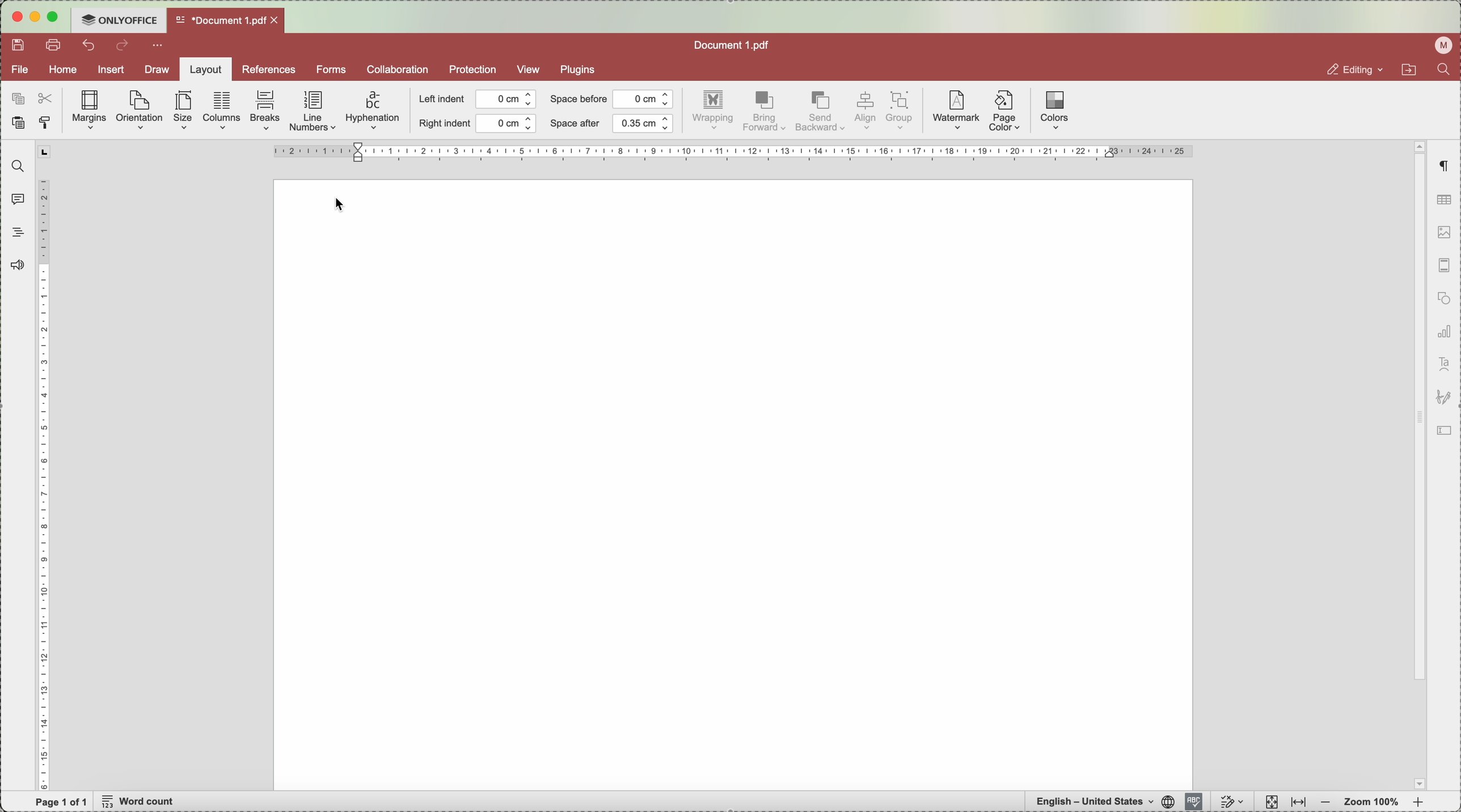 This screenshot has height=812, width=1461. Describe the element at coordinates (1443, 234) in the screenshot. I see `image settings` at that location.